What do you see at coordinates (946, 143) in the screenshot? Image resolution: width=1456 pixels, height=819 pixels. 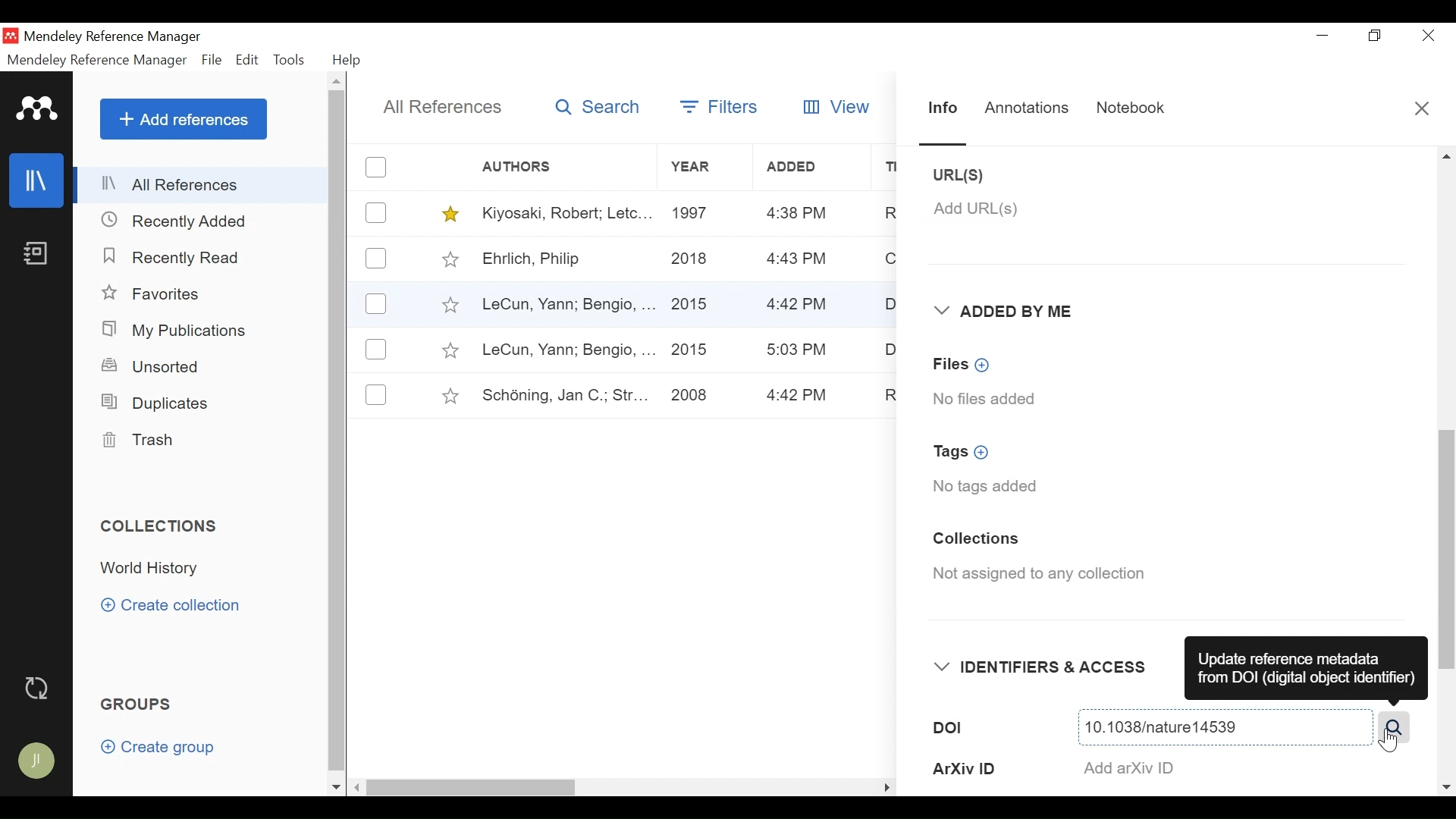 I see `Slider` at bounding box center [946, 143].